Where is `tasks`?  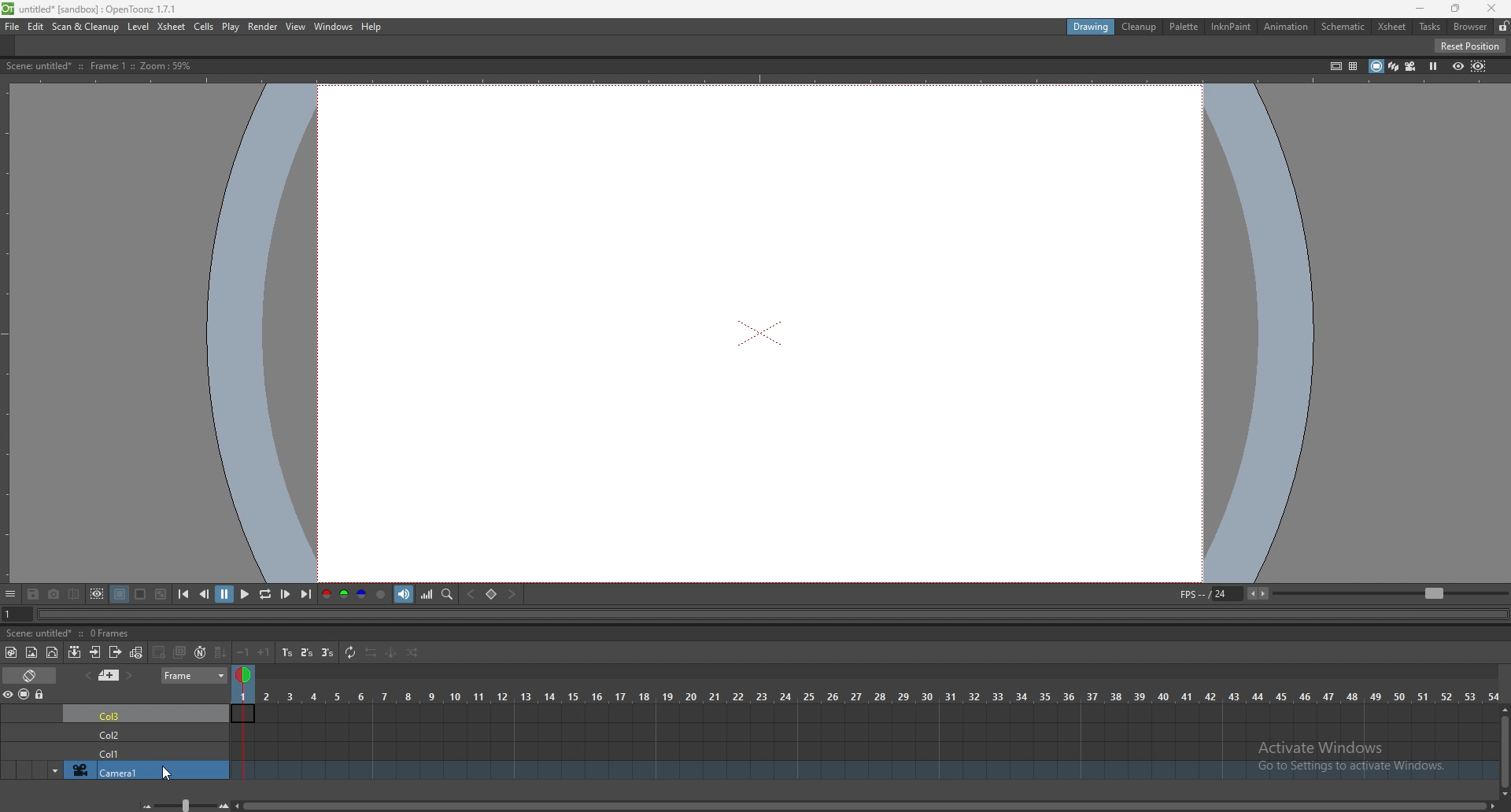 tasks is located at coordinates (1429, 27).